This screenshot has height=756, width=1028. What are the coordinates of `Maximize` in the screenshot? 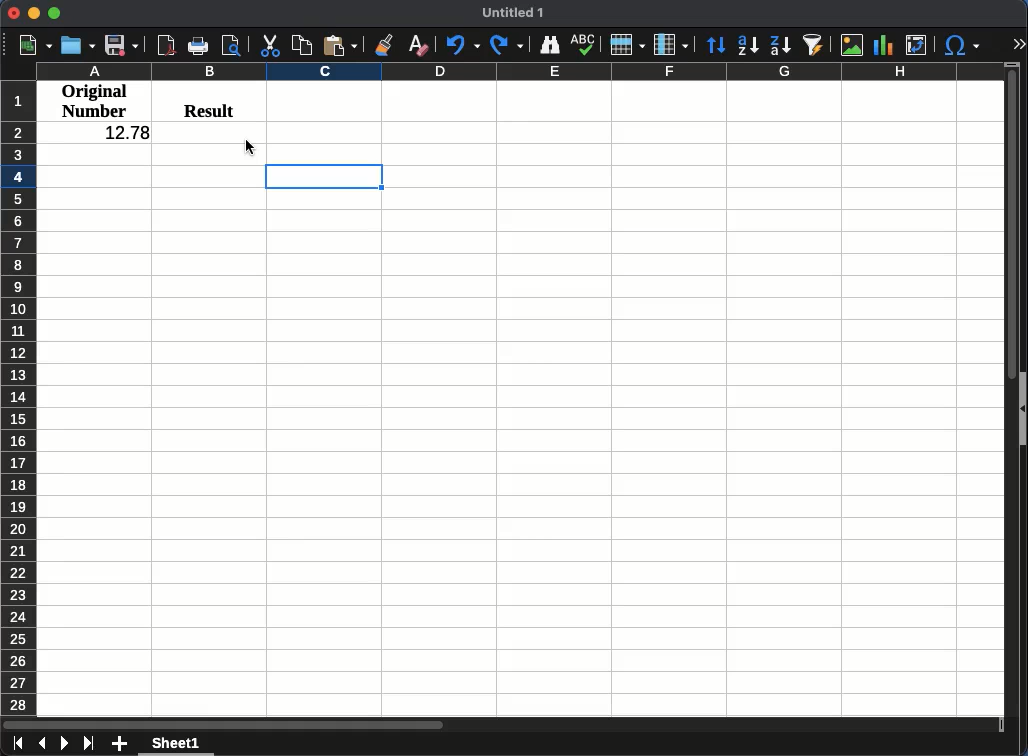 It's located at (54, 14).